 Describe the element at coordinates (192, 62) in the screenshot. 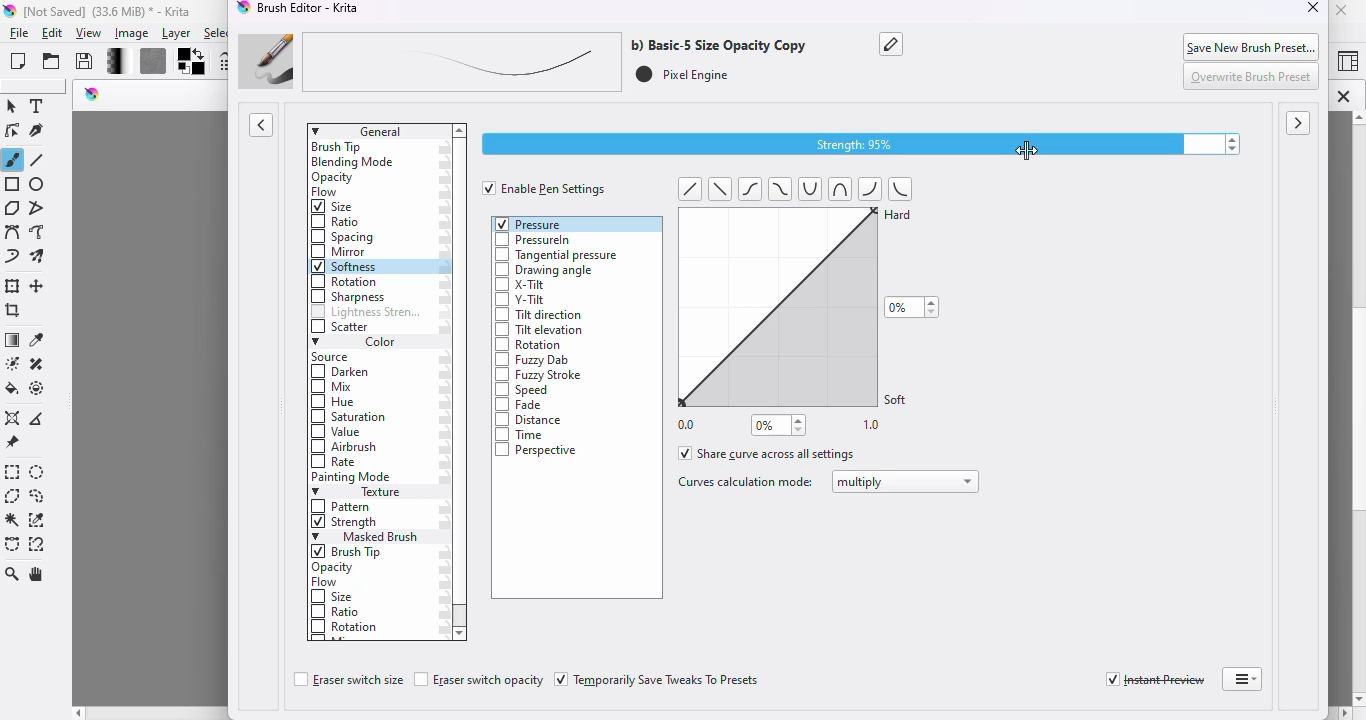

I see `foreground/background color settings` at that location.